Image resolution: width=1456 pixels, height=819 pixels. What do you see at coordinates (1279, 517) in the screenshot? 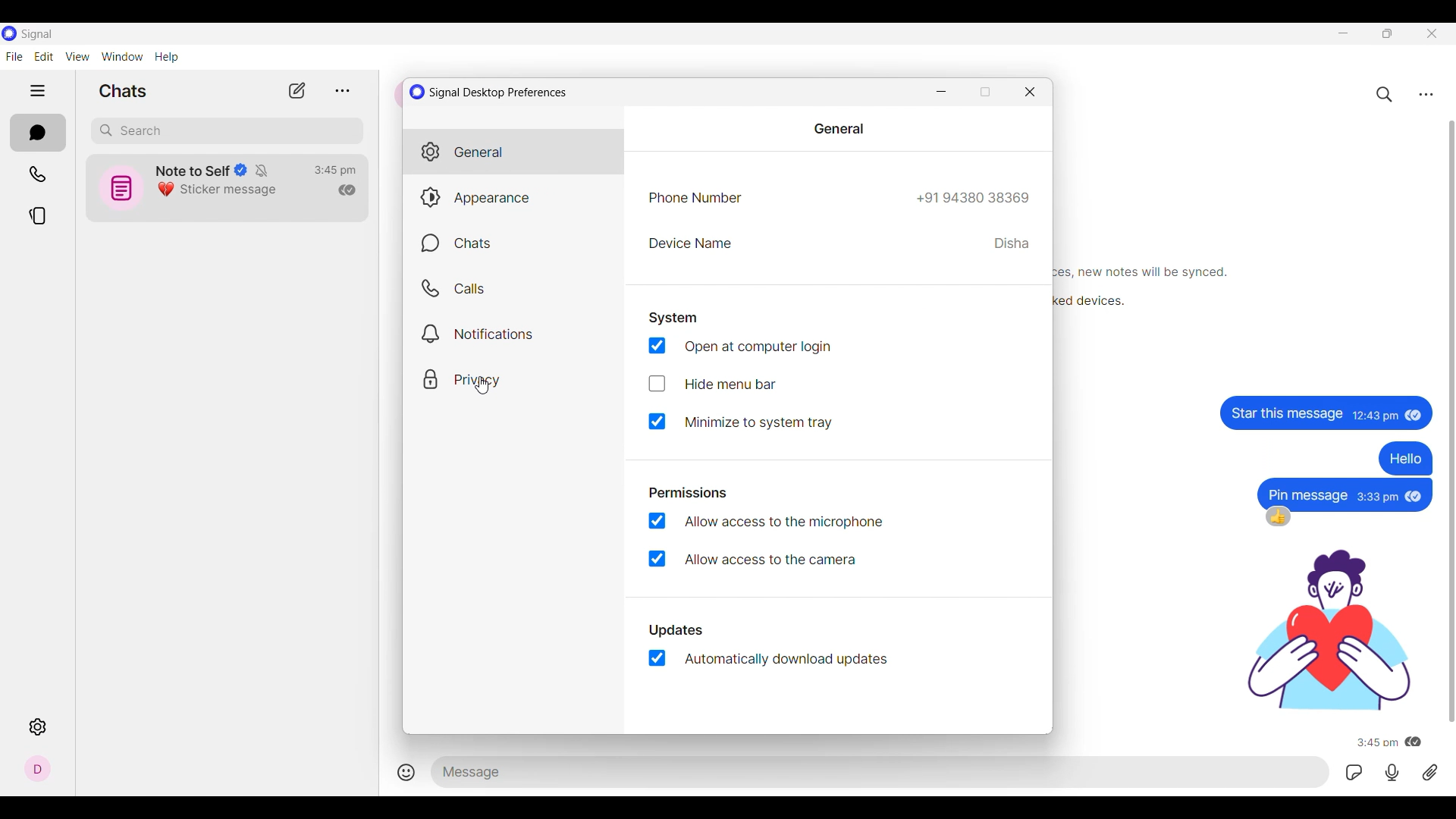
I see `thumbsup` at bounding box center [1279, 517].